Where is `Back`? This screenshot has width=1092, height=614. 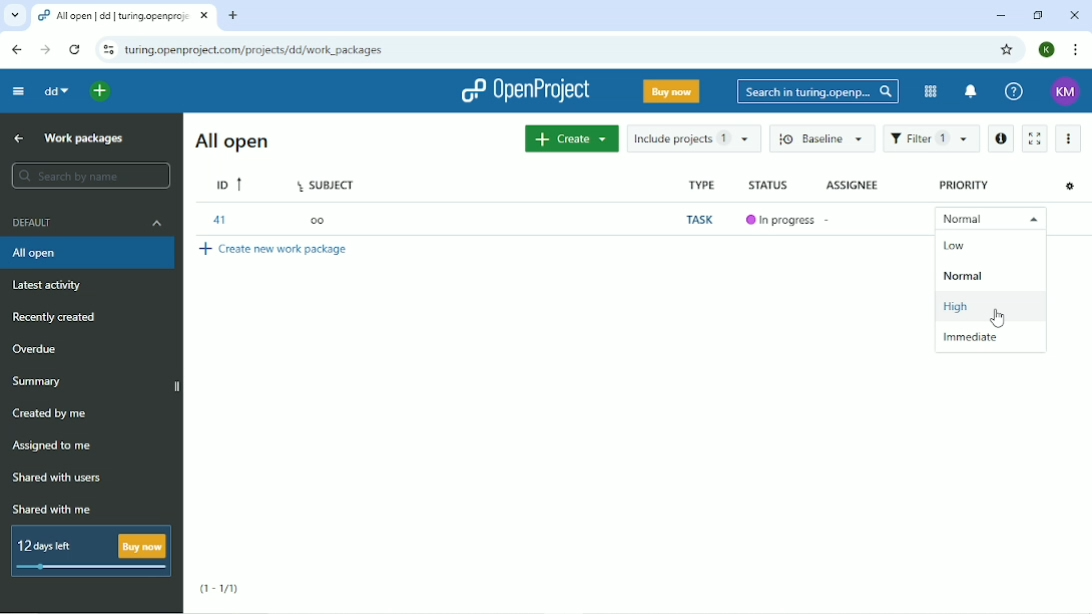 Back is located at coordinates (16, 50).